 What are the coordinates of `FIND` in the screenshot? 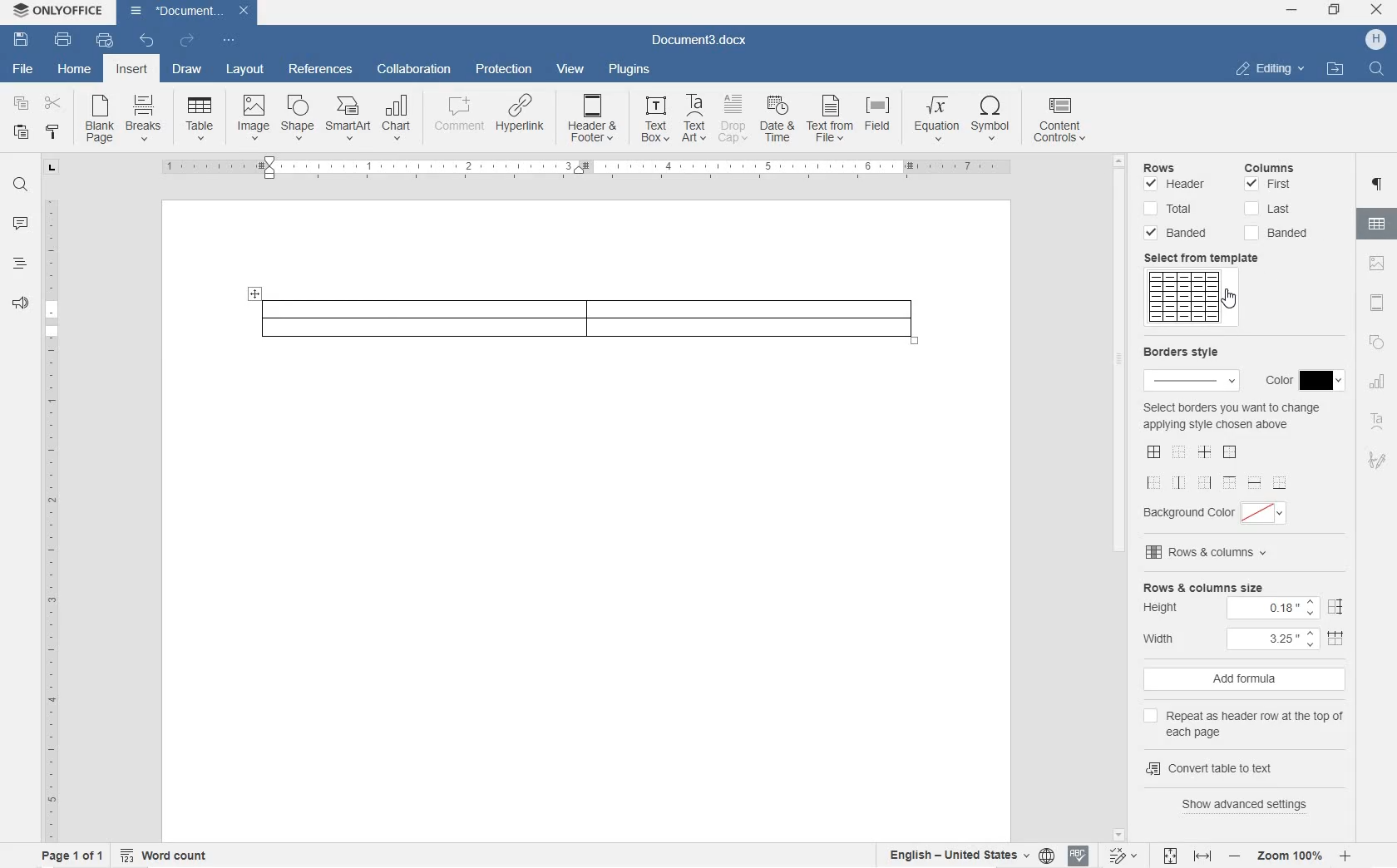 It's located at (19, 187).